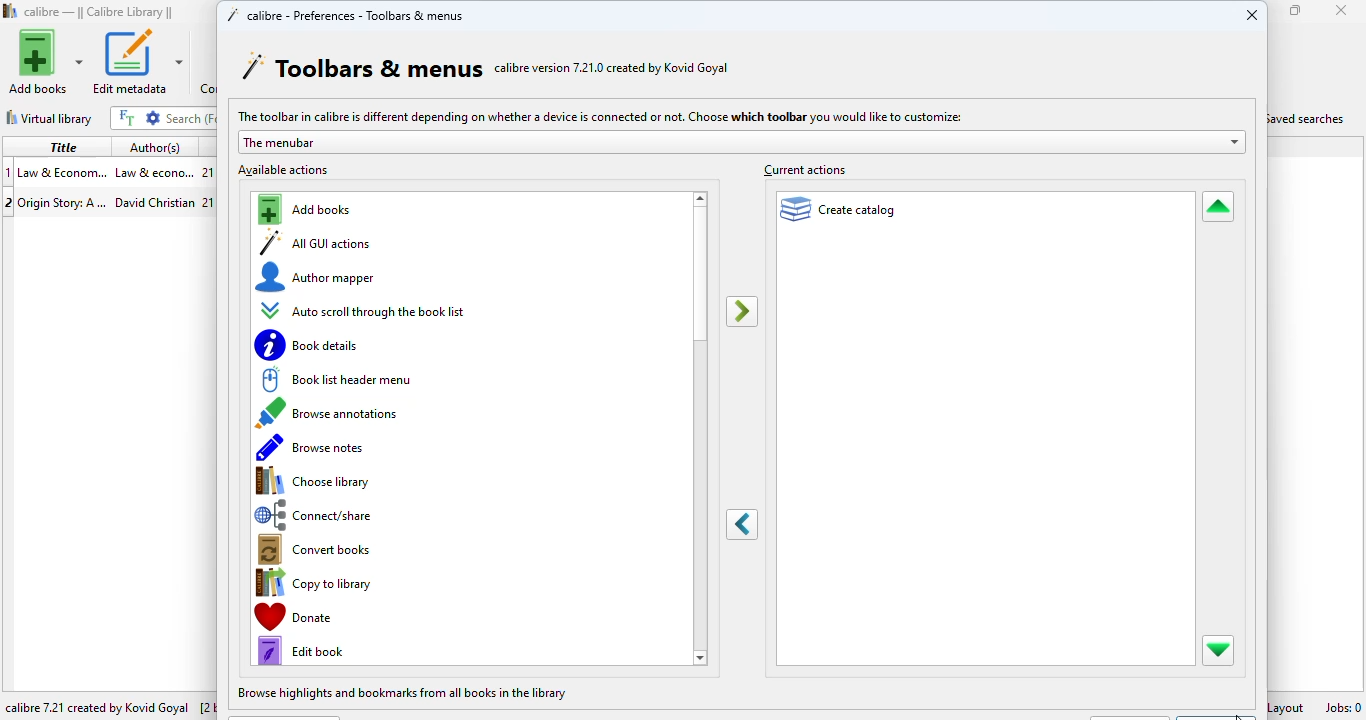 Image resolution: width=1366 pixels, height=720 pixels. What do you see at coordinates (364, 311) in the screenshot?
I see `auto scroll through the book list` at bounding box center [364, 311].